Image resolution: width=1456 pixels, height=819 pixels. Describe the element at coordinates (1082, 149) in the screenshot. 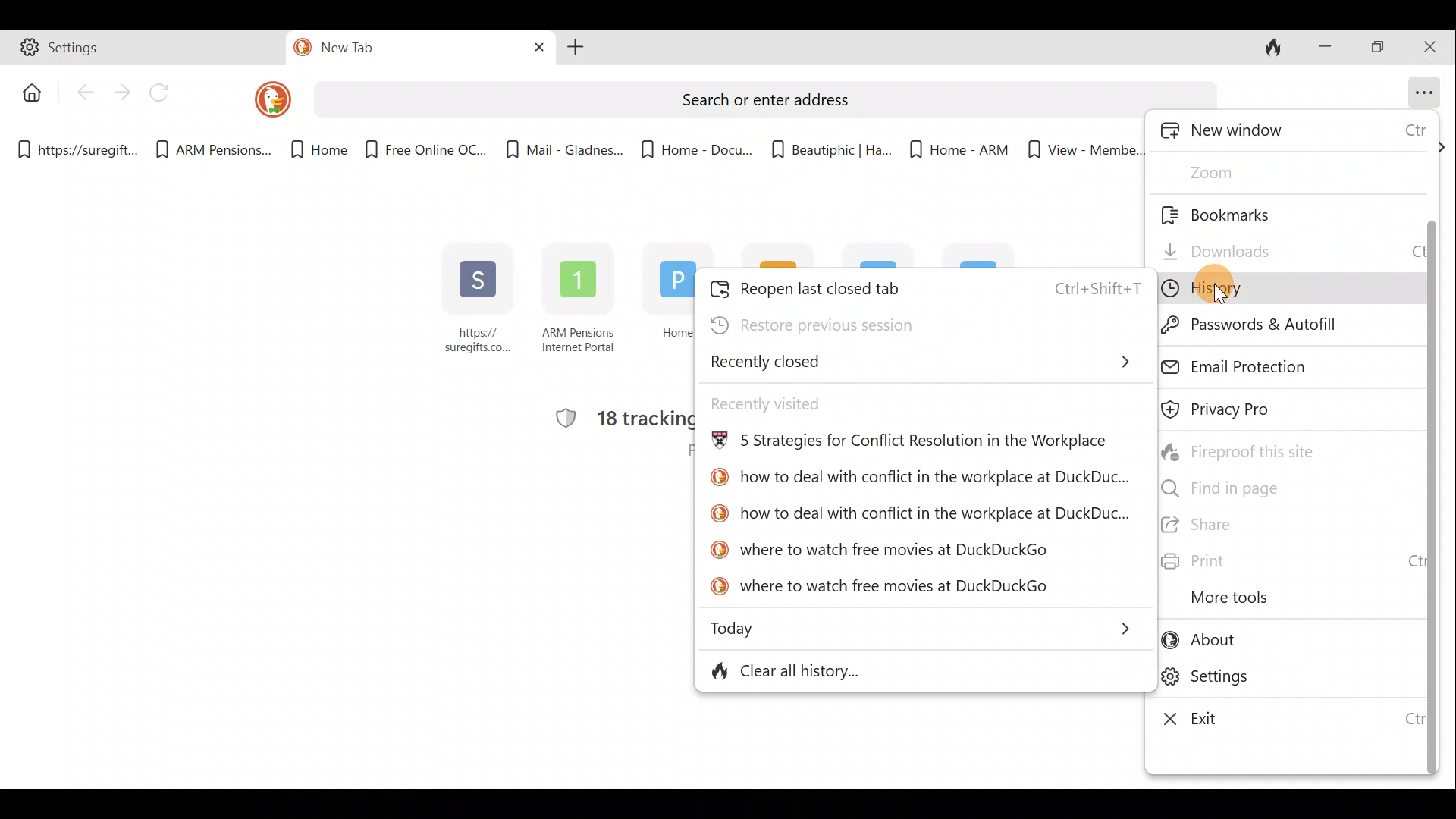

I see `View - Membe...` at that location.